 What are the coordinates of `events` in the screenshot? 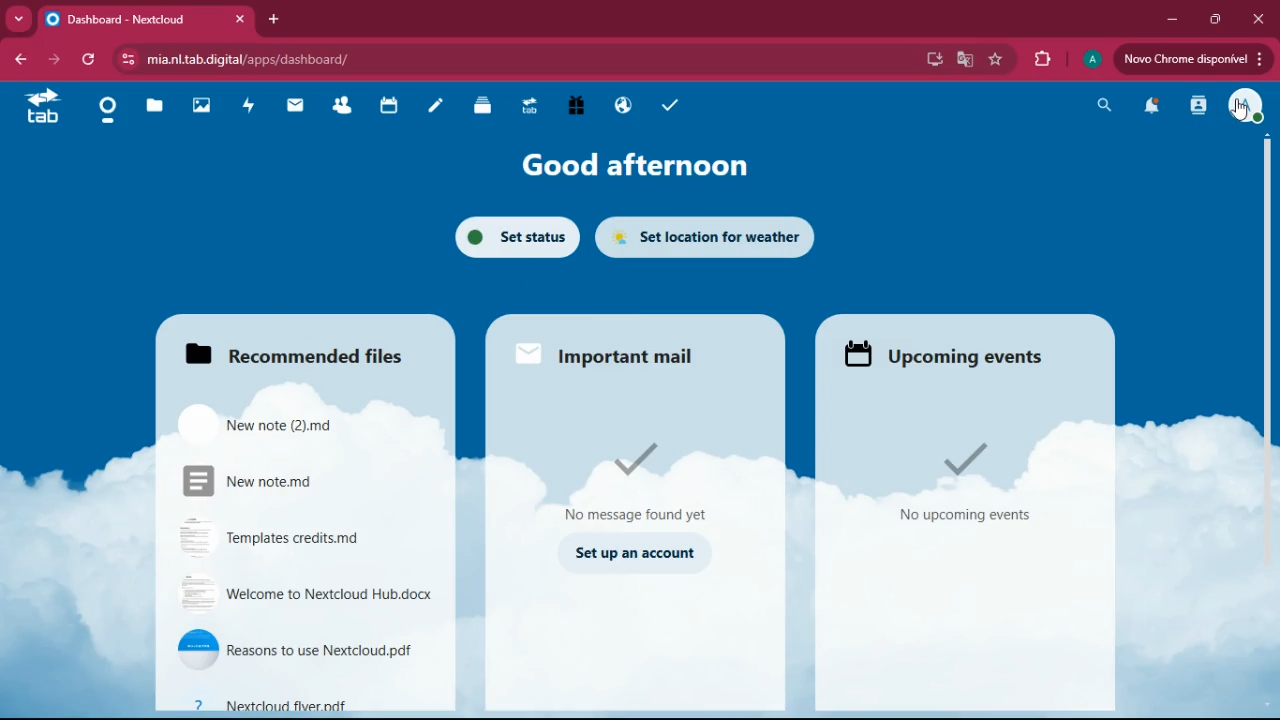 It's located at (969, 489).